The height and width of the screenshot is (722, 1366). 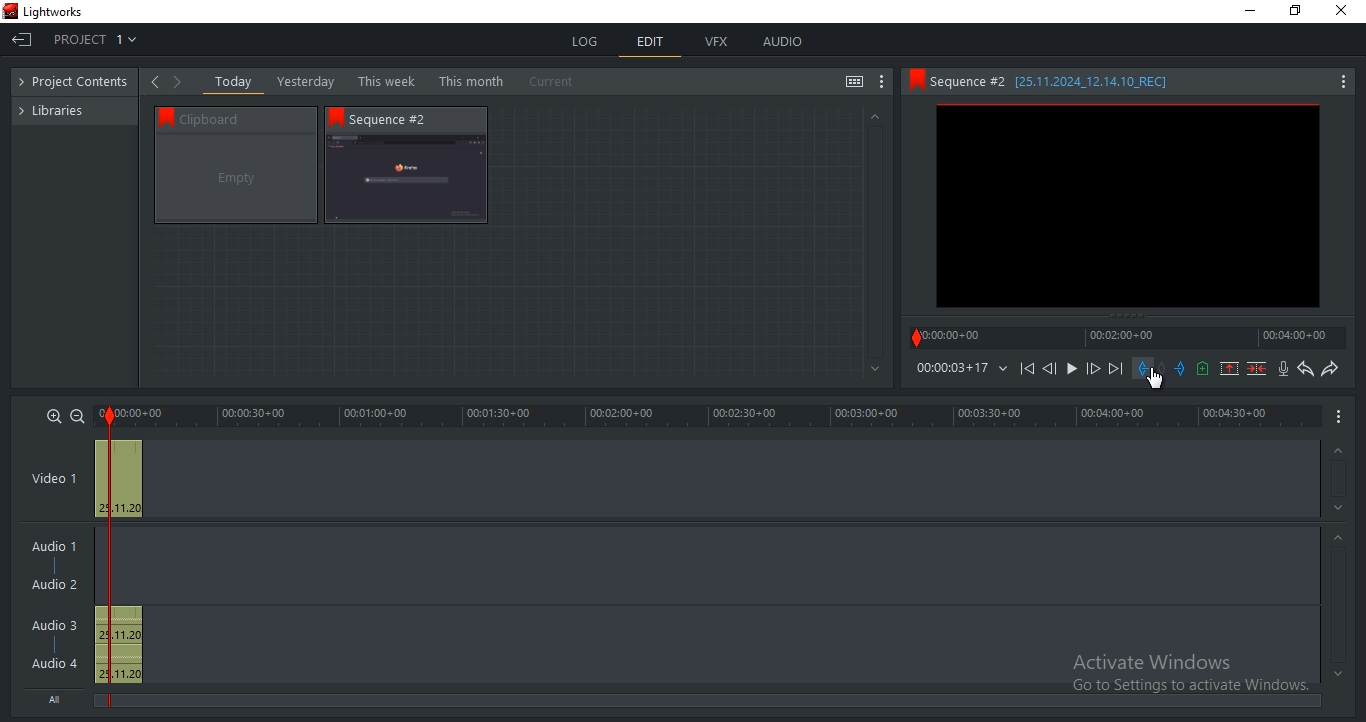 What do you see at coordinates (1345, 11) in the screenshot?
I see `Close` at bounding box center [1345, 11].